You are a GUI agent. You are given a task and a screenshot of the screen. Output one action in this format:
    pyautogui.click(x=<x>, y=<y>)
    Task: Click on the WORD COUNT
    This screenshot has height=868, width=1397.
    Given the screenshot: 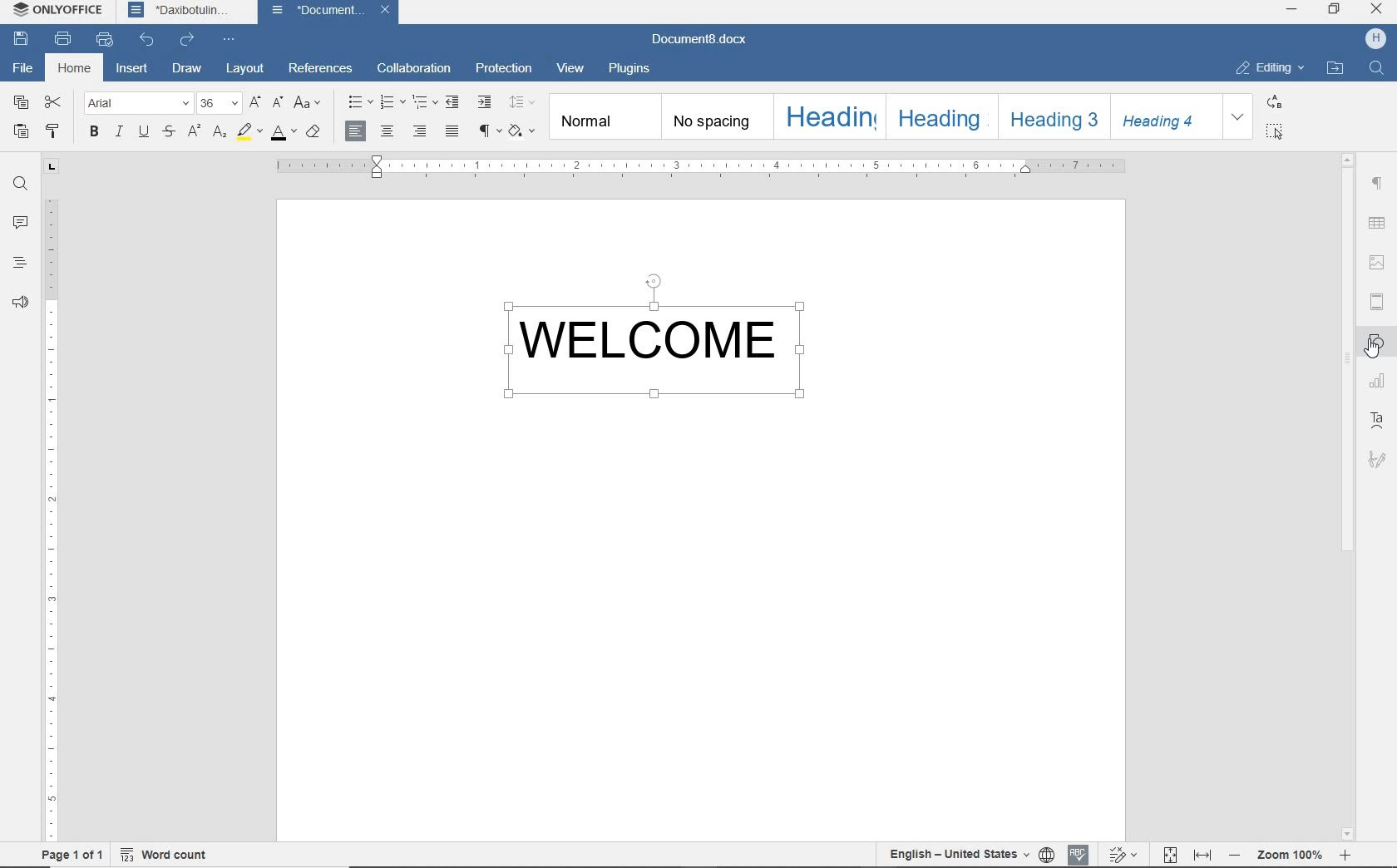 What is the action you would take?
    pyautogui.click(x=165, y=854)
    